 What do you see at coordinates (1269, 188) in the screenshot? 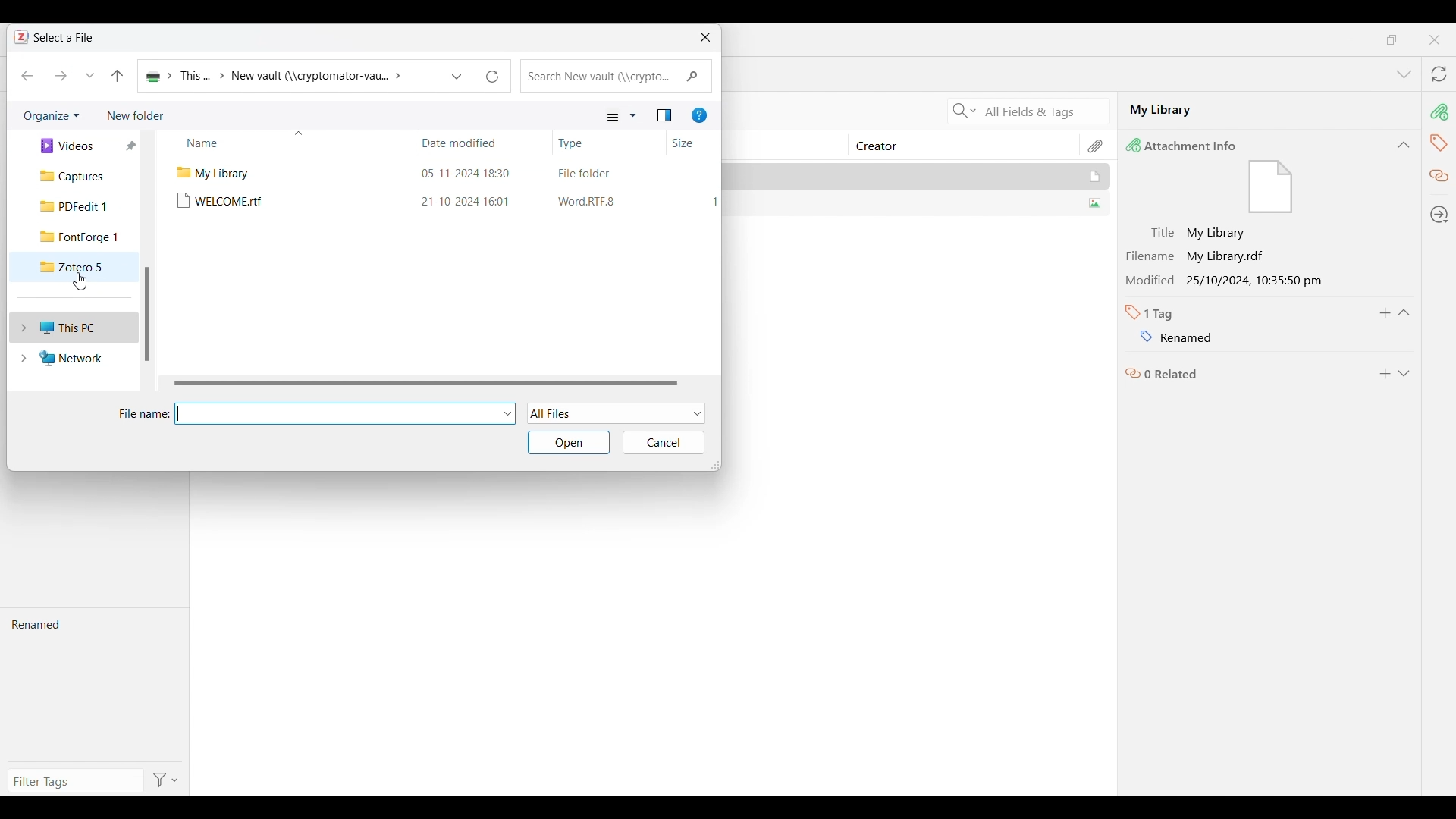
I see `file icon` at bounding box center [1269, 188].